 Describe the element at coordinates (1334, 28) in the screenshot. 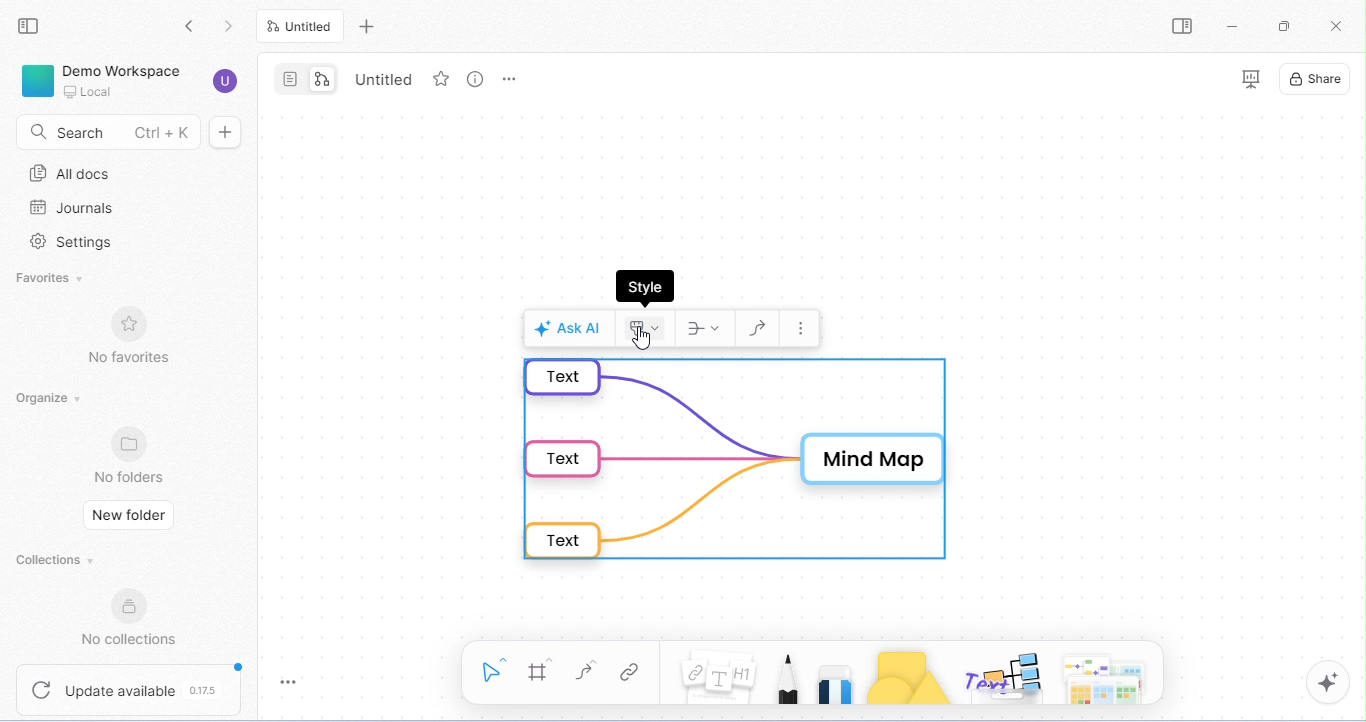

I see `close` at that location.